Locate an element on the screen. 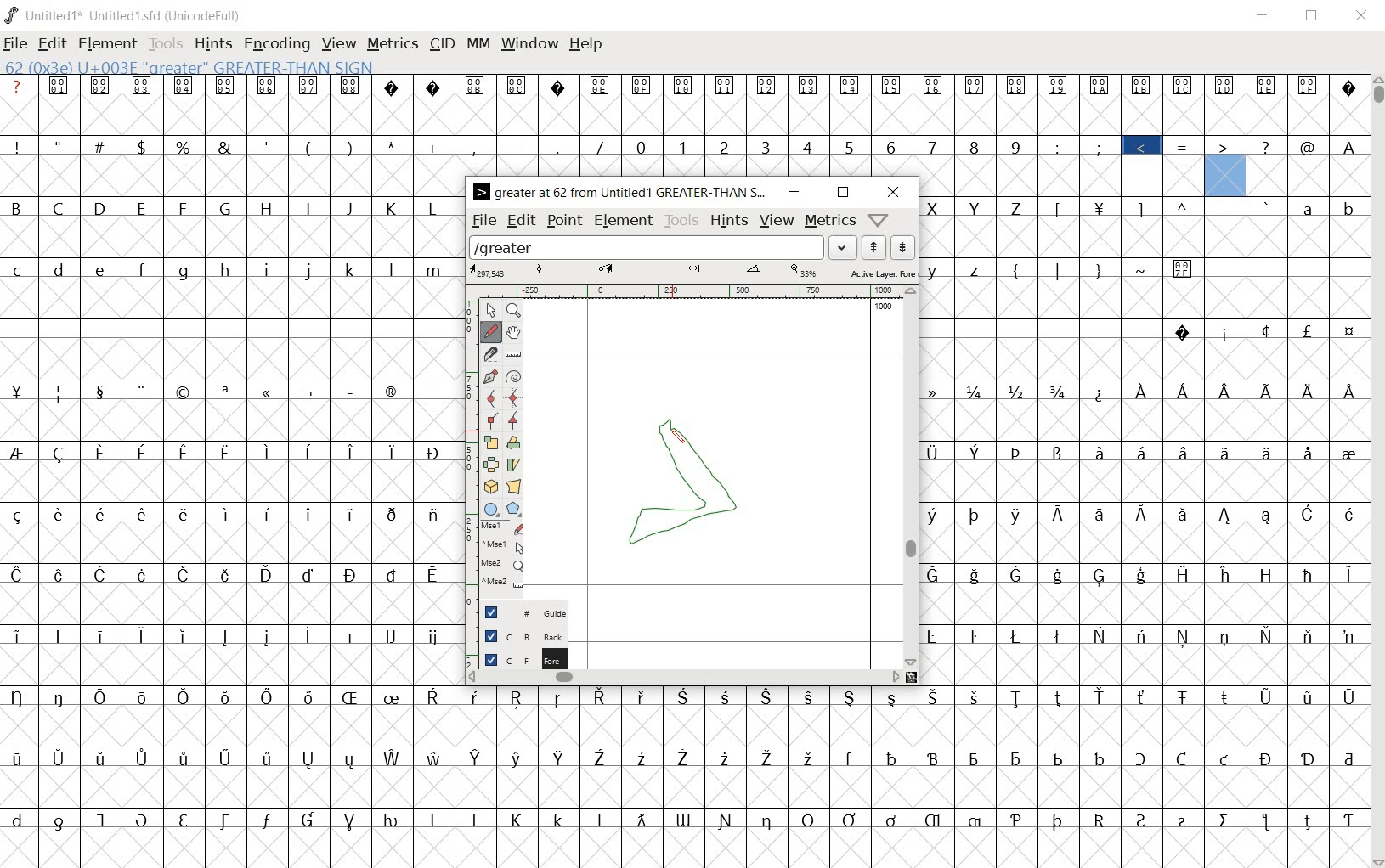 The width and height of the screenshot is (1385, 868). show the previous word on the list is located at coordinates (903, 247).